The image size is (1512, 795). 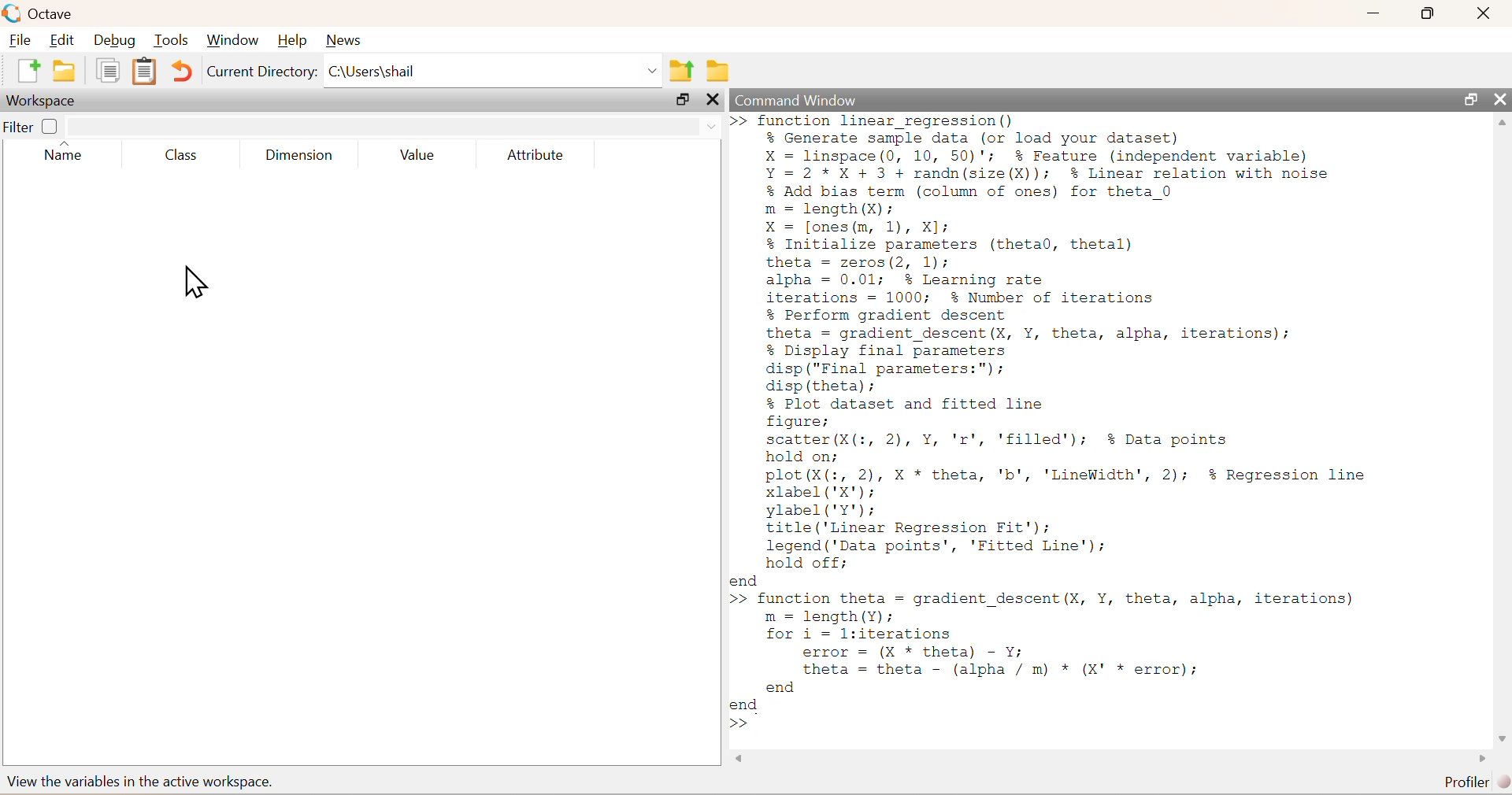 What do you see at coordinates (1500, 739) in the screenshot?
I see `scroll down` at bounding box center [1500, 739].